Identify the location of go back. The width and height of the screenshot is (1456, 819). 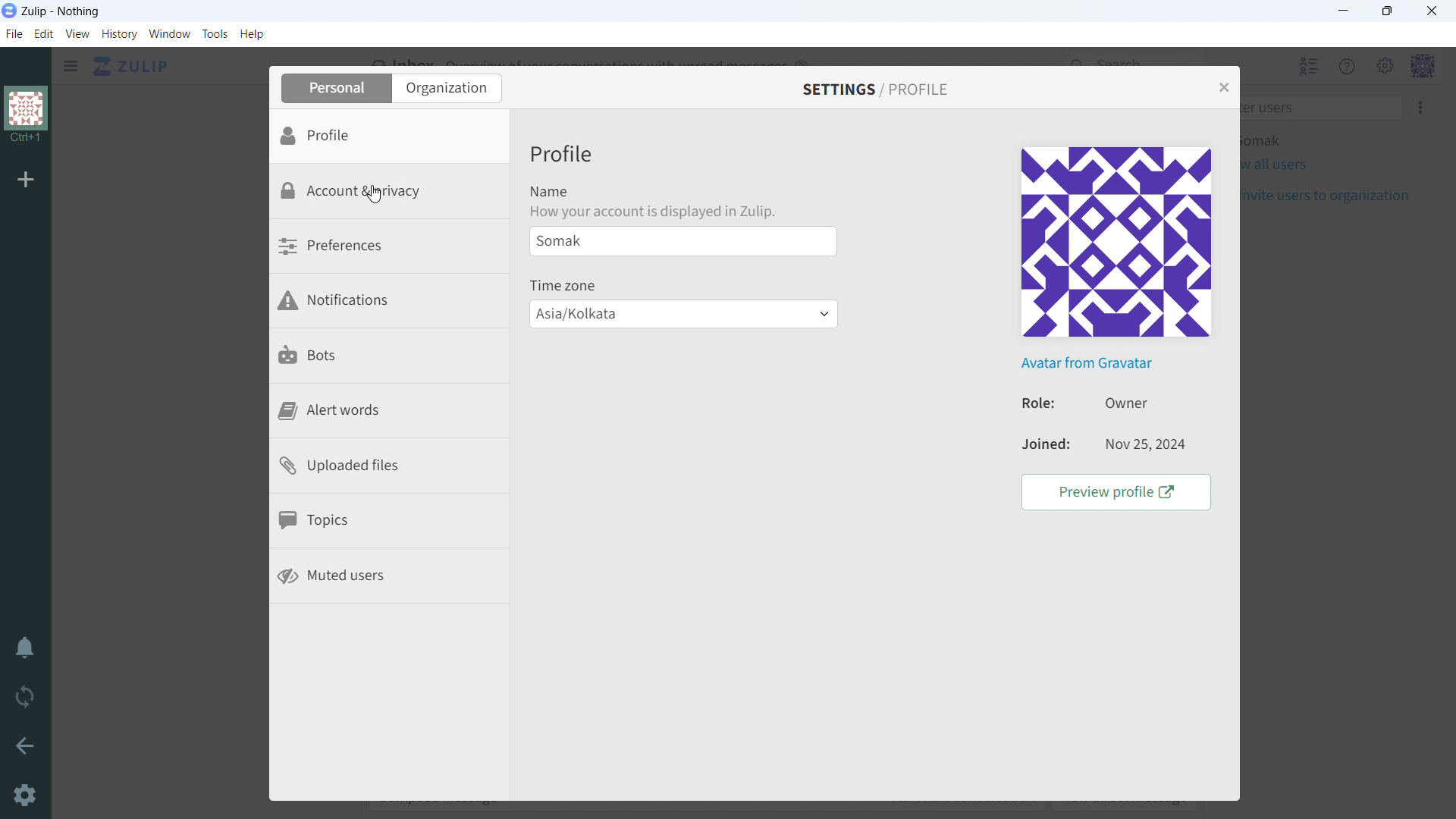
(26, 744).